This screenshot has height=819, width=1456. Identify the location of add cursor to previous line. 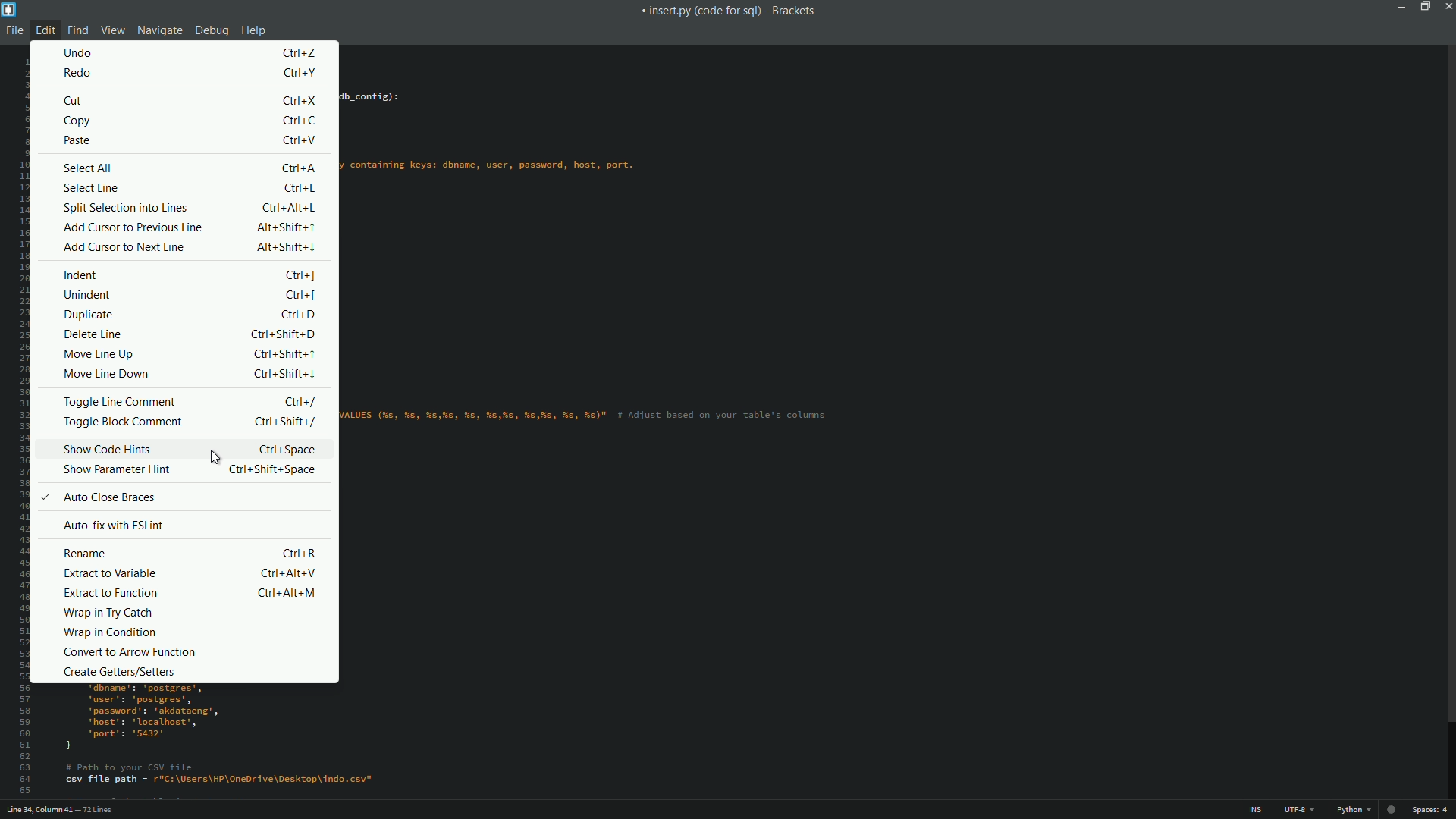
(131, 227).